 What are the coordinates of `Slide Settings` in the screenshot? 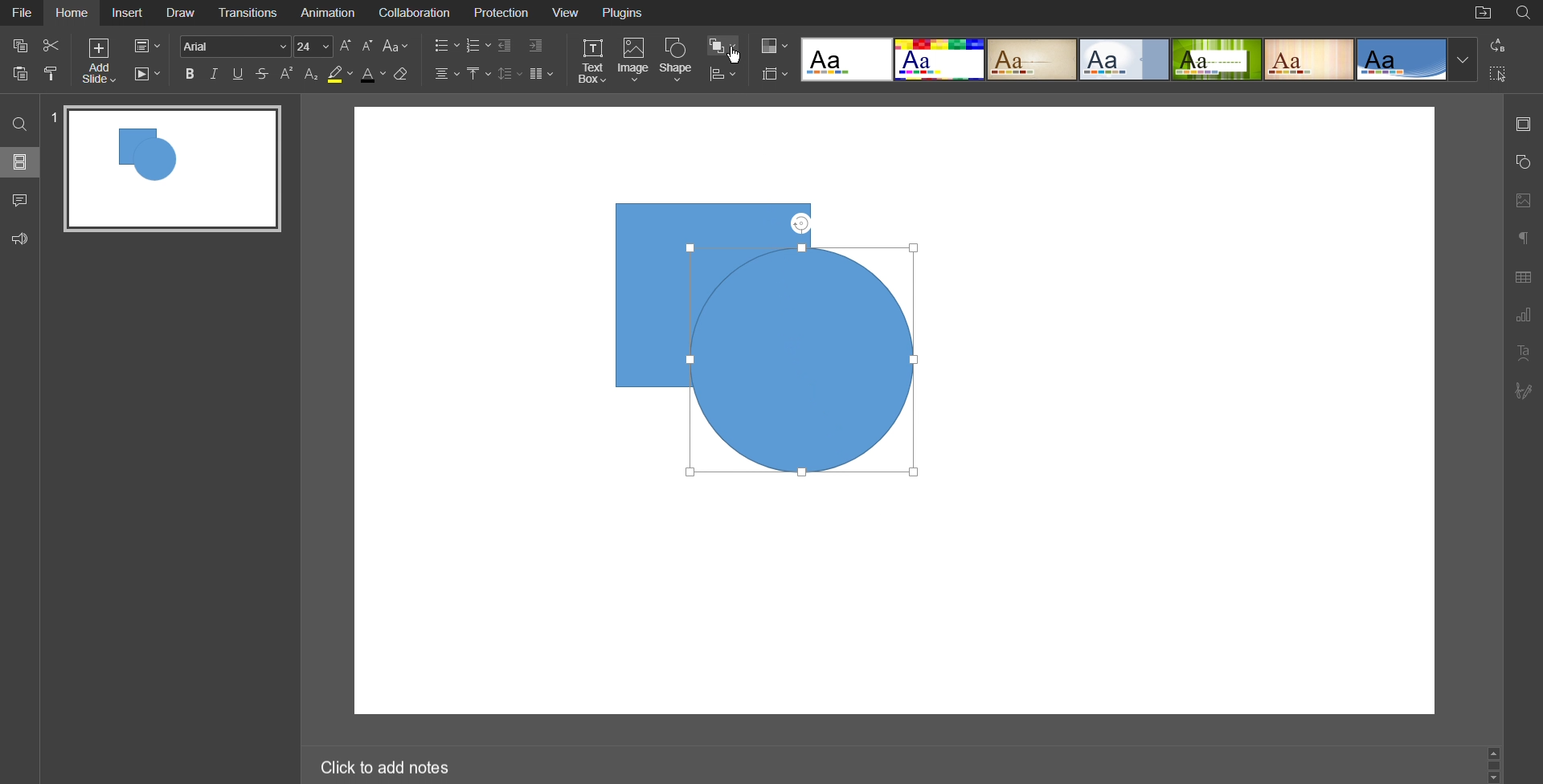 It's located at (148, 43).